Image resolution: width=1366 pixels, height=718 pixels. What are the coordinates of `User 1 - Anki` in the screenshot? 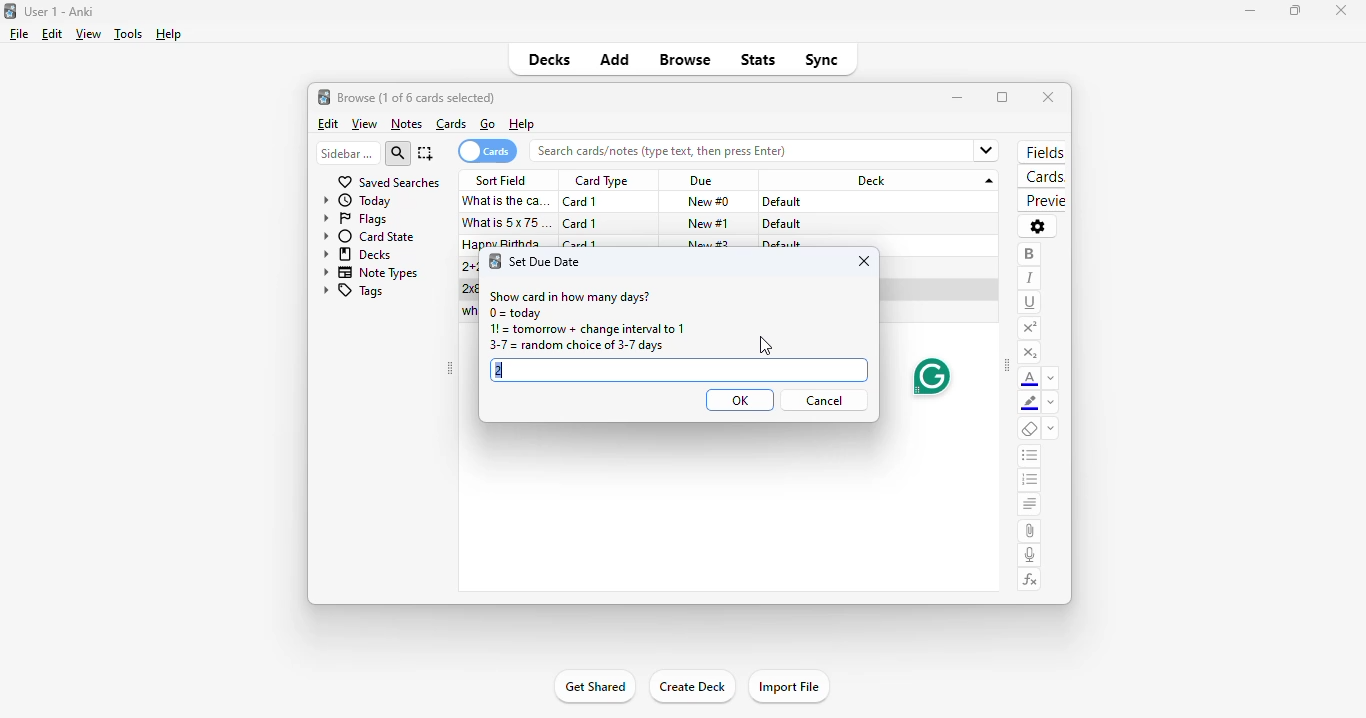 It's located at (59, 11).